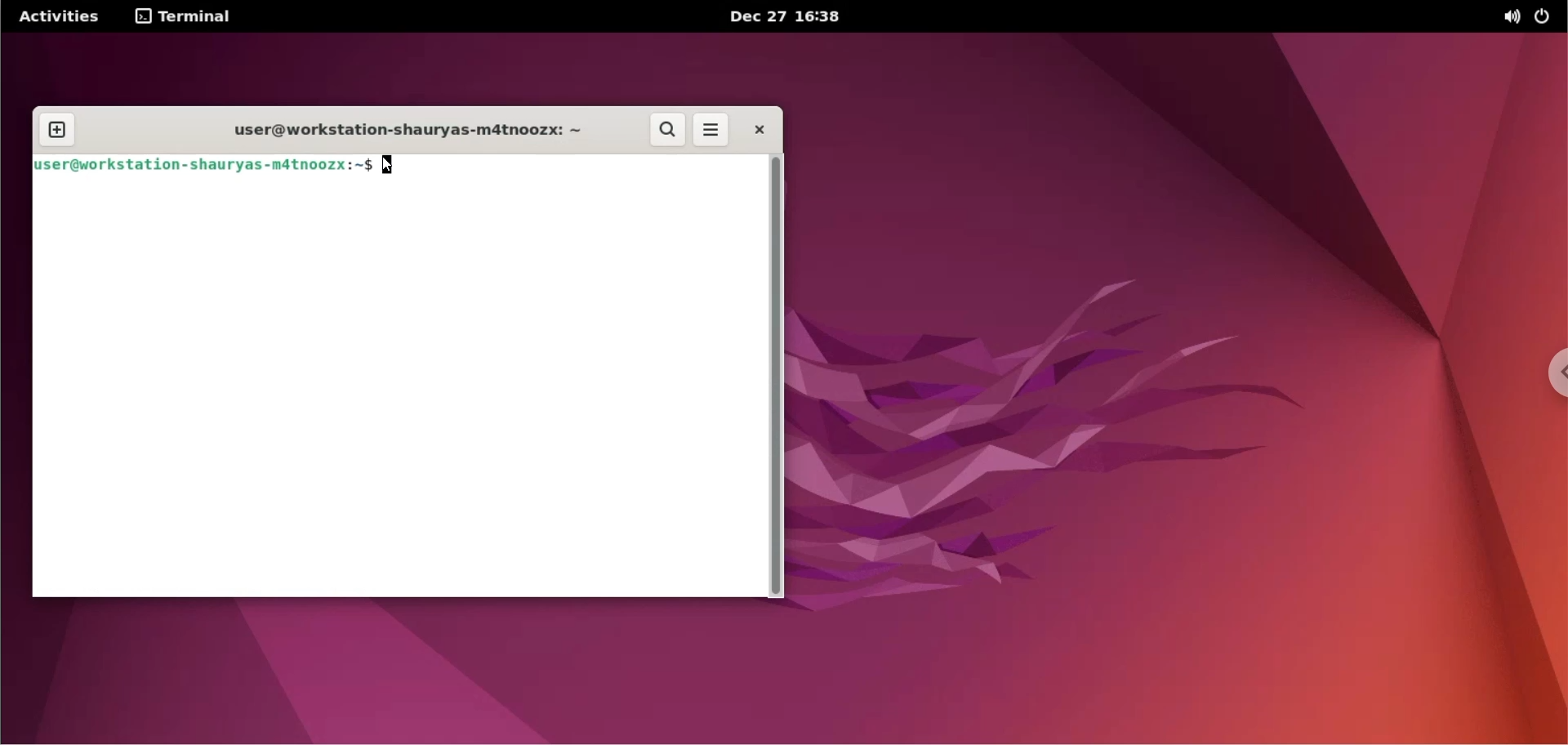  What do you see at coordinates (670, 131) in the screenshot?
I see `search` at bounding box center [670, 131].